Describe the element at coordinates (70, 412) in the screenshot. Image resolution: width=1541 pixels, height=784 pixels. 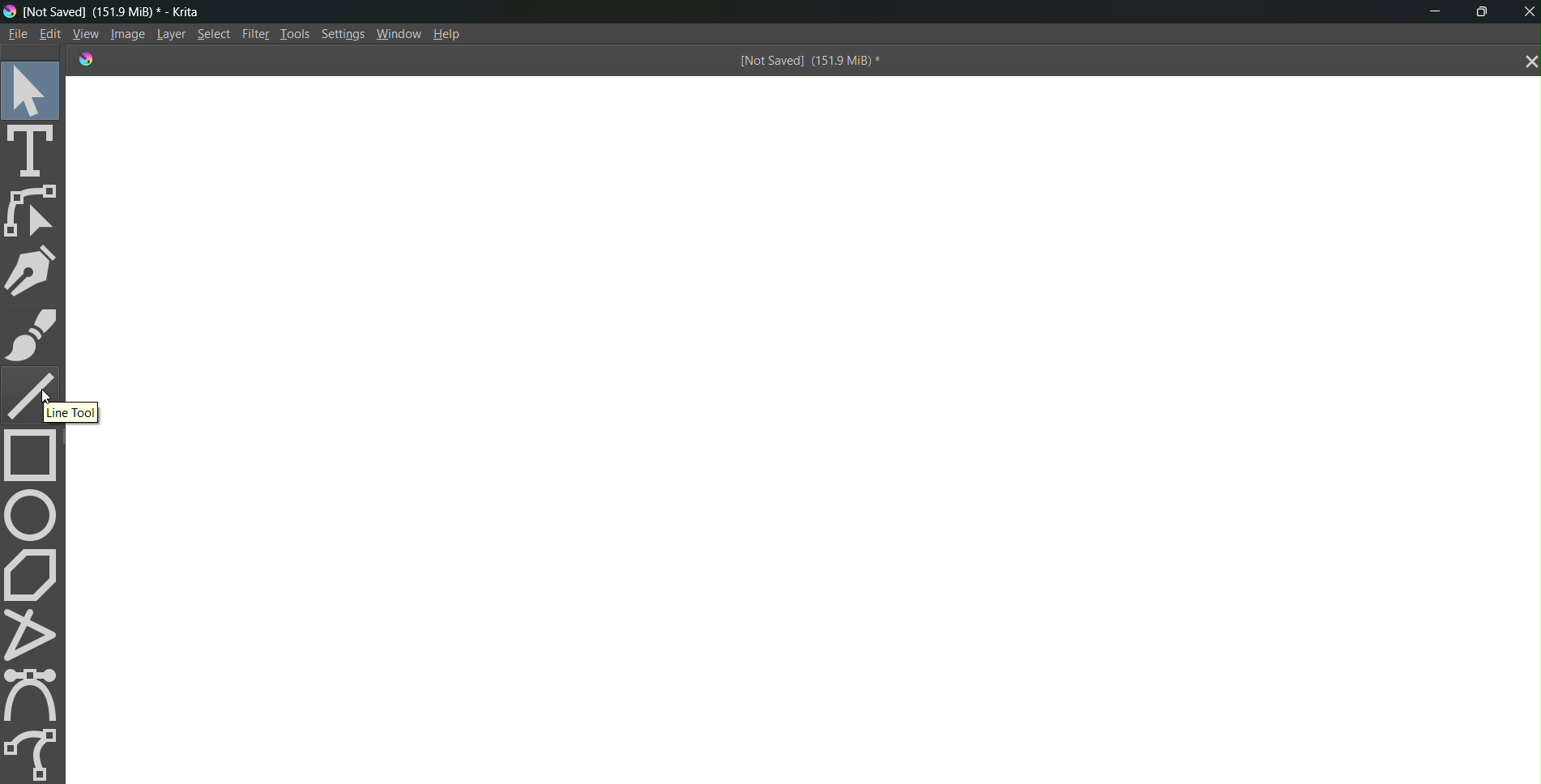
I see `Line Tool` at that location.